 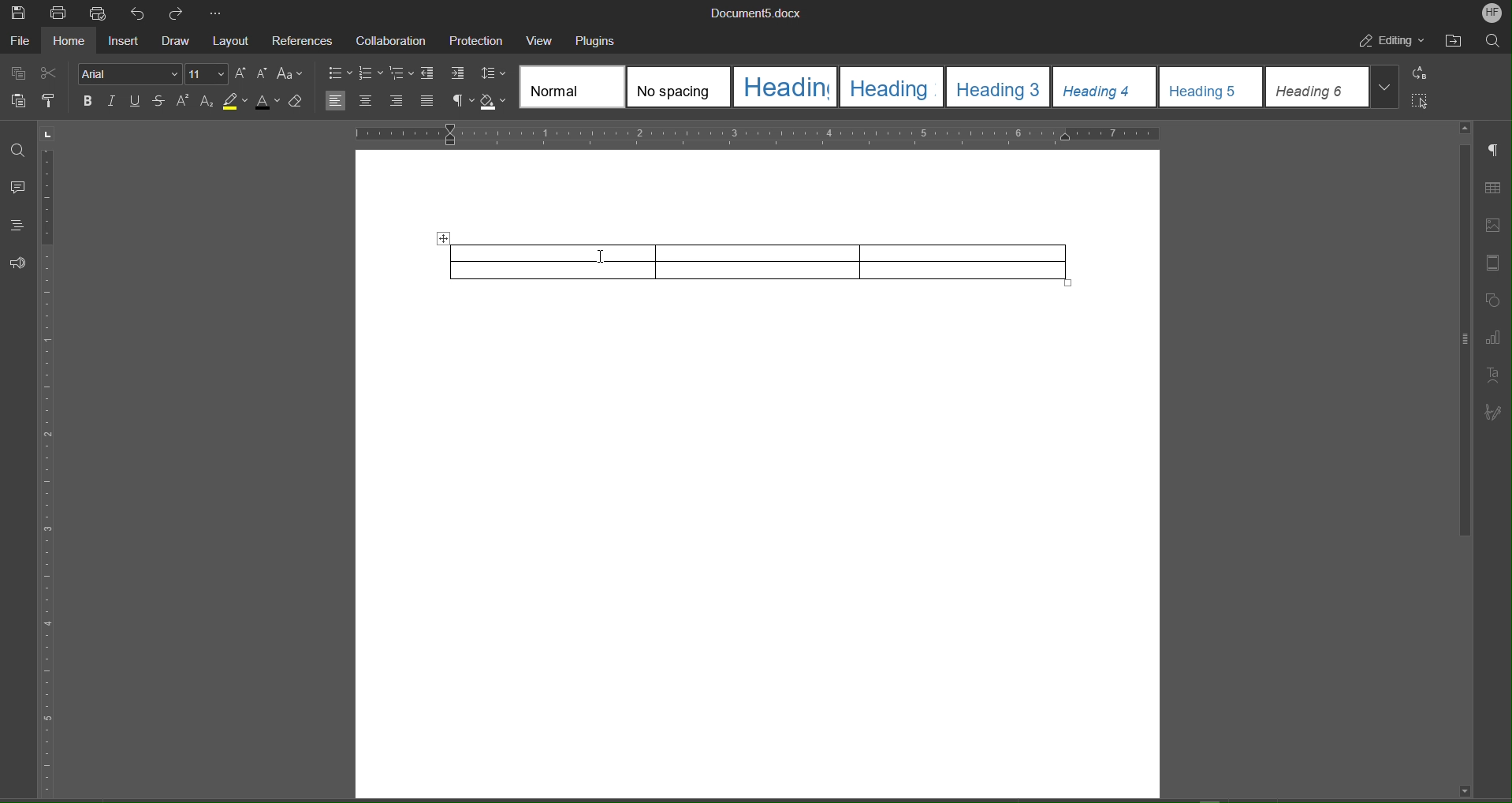 I want to click on Editing, so click(x=1393, y=43).